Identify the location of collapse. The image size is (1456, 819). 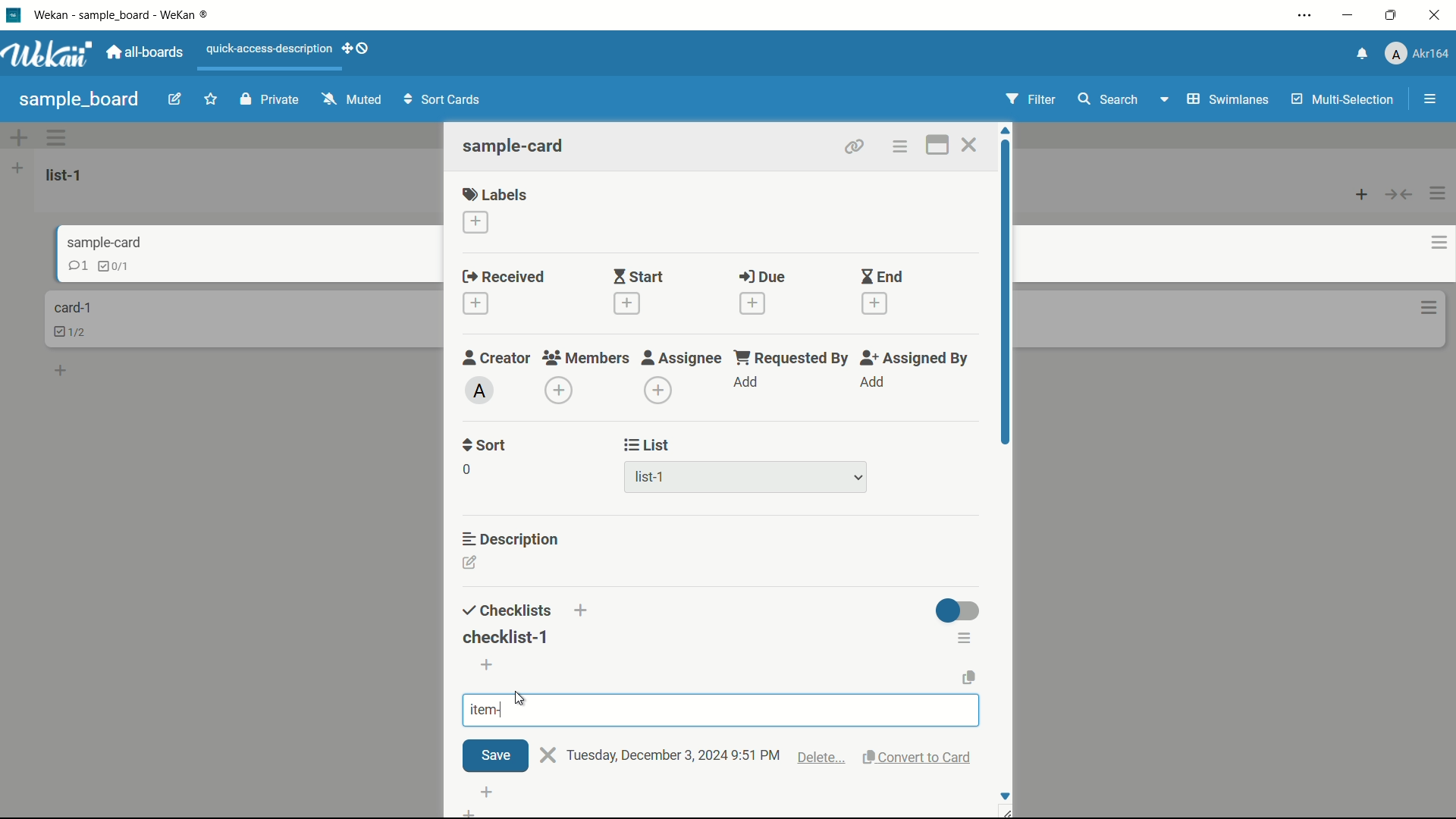
(1399, 196).